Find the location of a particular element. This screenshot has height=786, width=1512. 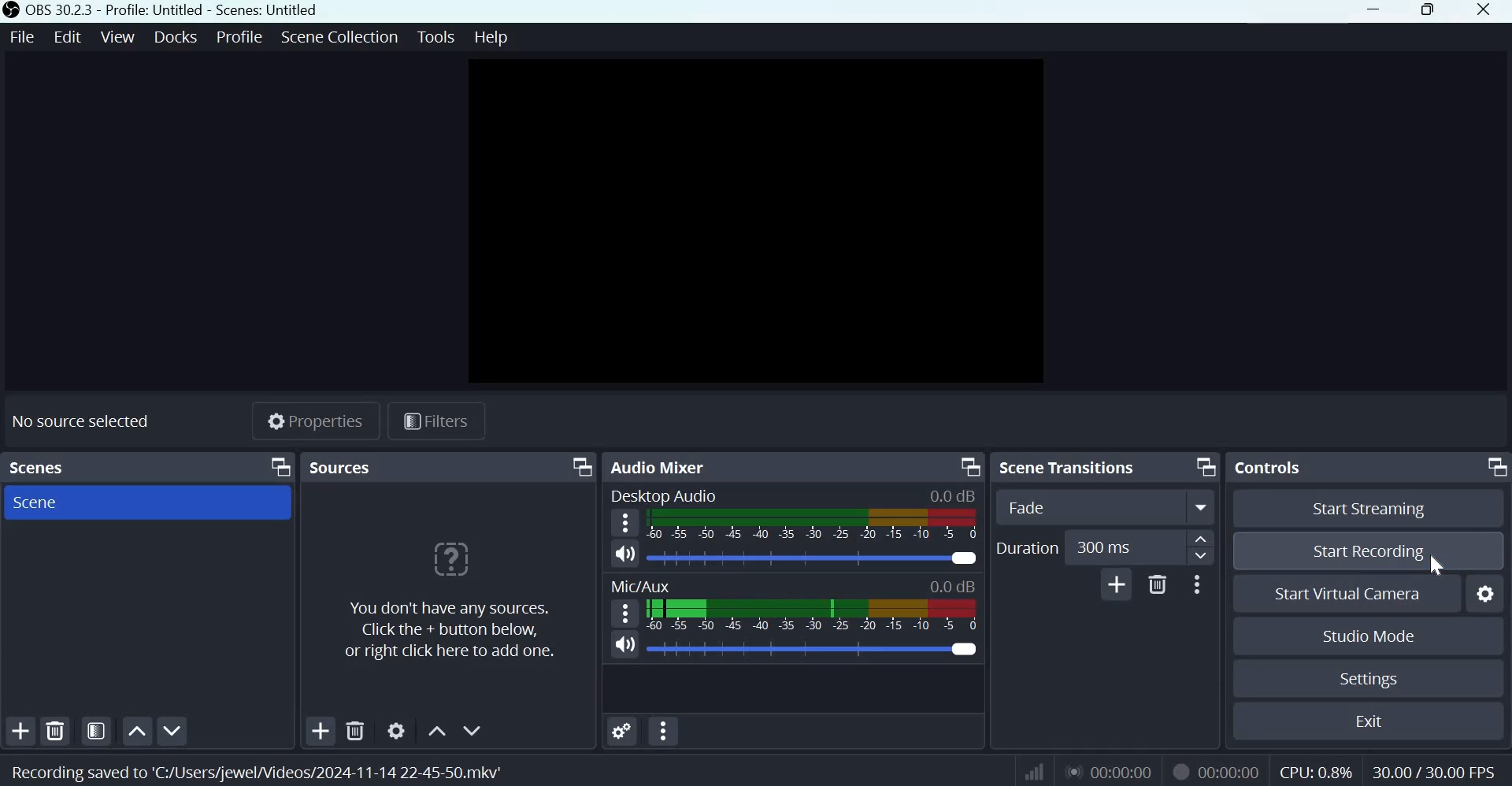

More options is located at coordinates (1202, 506).